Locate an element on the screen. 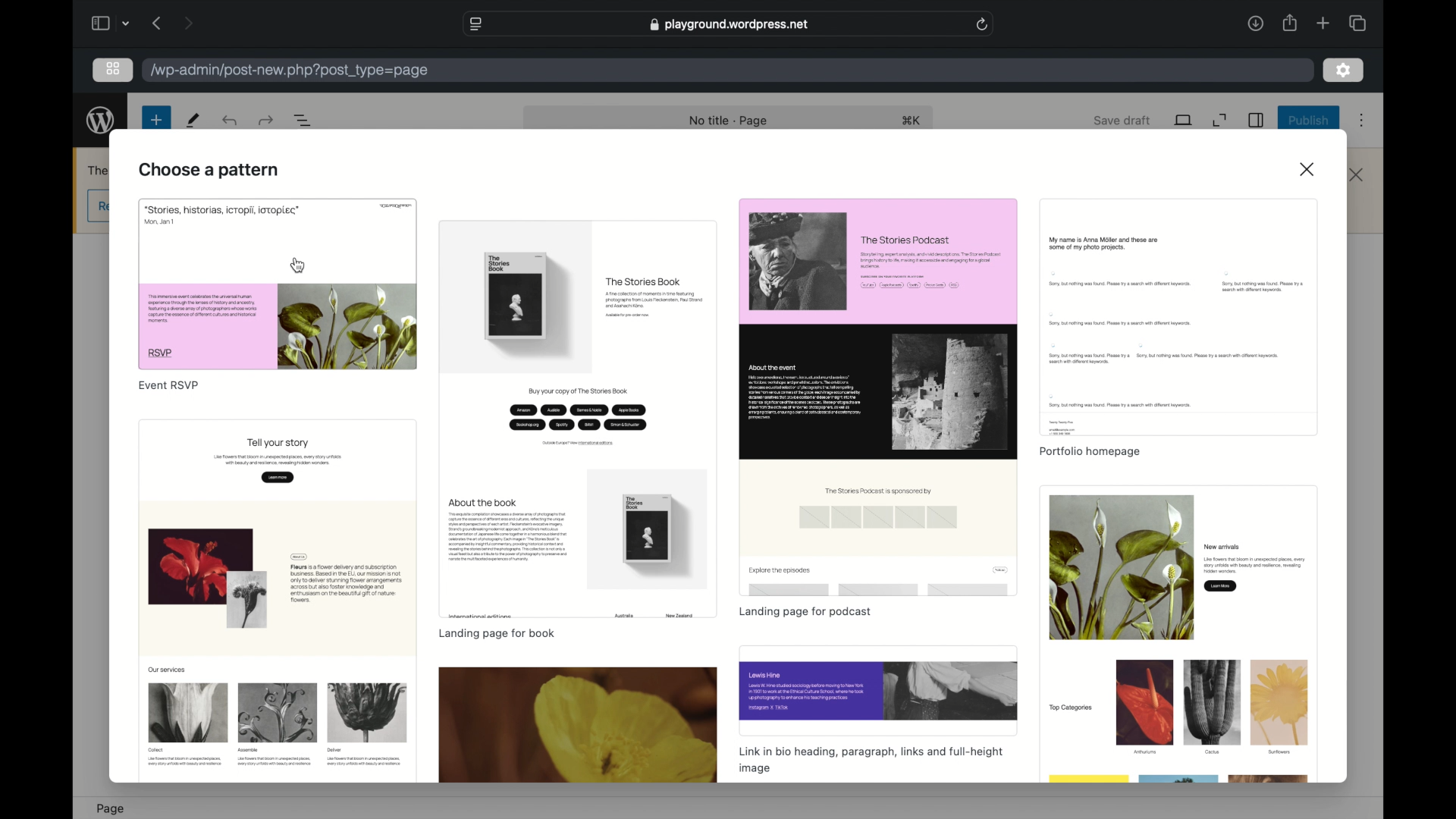 The image size is (1456, 819). more options is located at coordinates (1365, 120).